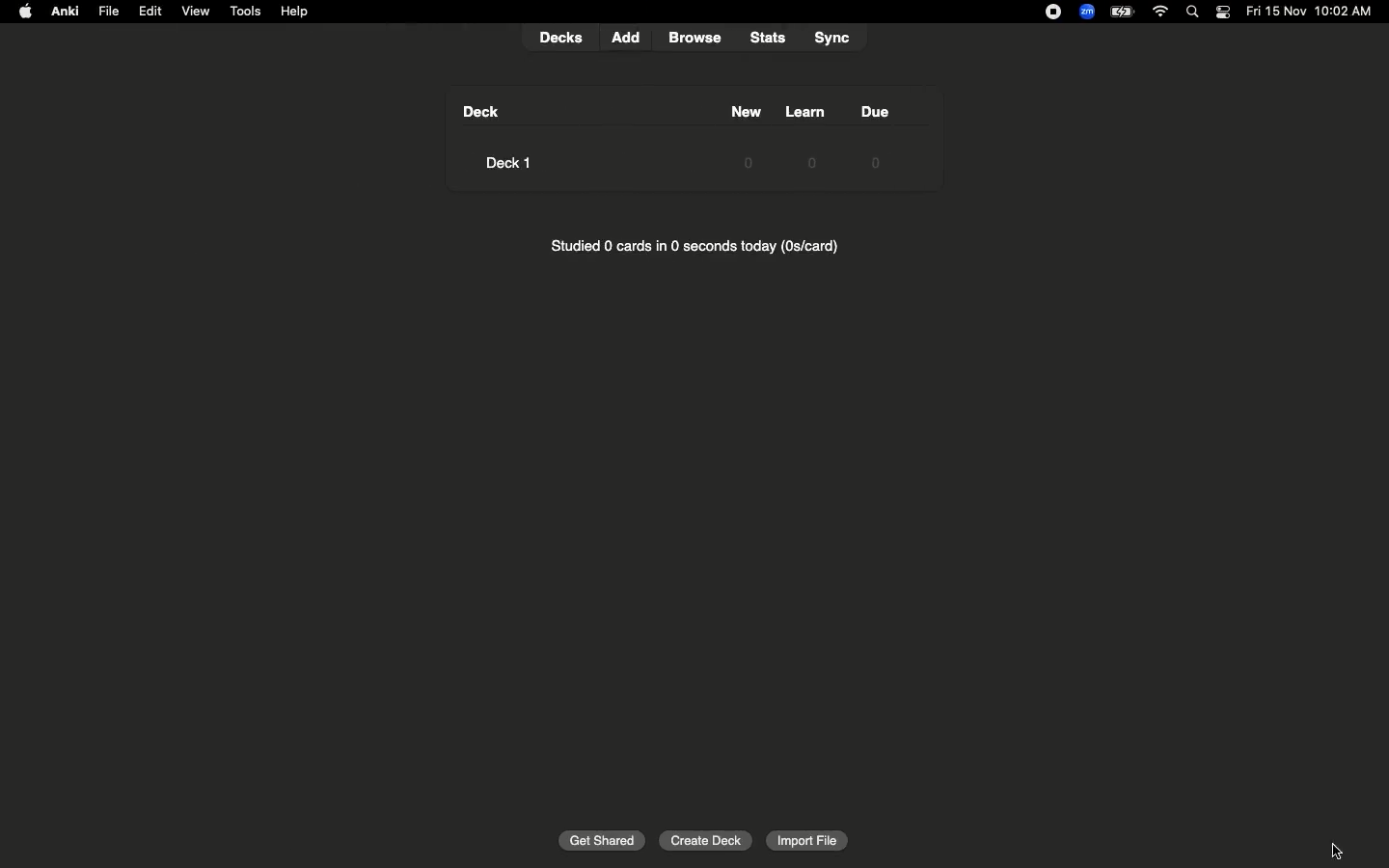 The width and height of the screenshot is (1389, 868). Describe the element at coordinates (113, 12) in the screenshot. I see `file` at that location.